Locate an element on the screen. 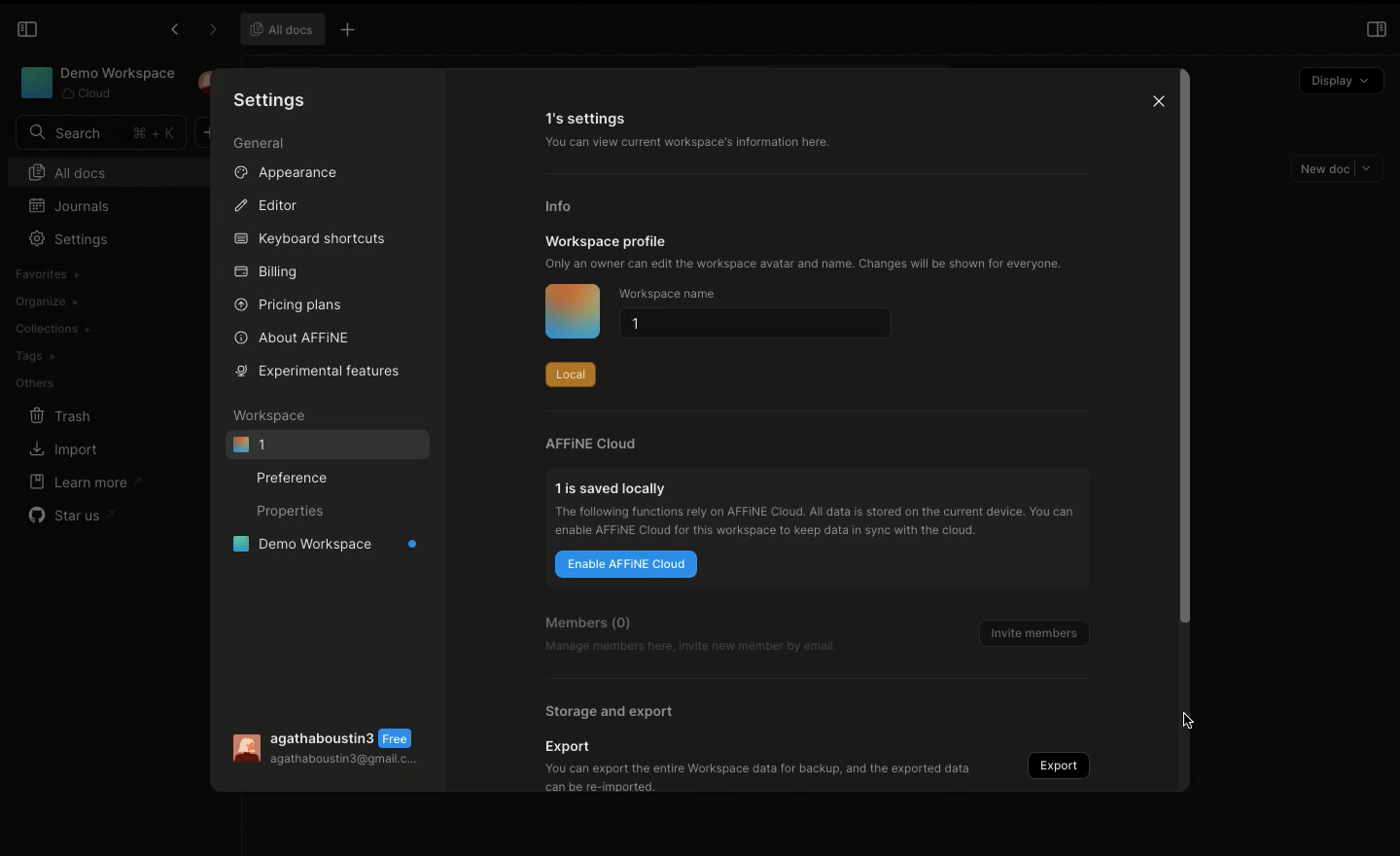 Image resolution: width=1400 pixels, height=856 pixels. Close is located at coordinates (1157, 104).